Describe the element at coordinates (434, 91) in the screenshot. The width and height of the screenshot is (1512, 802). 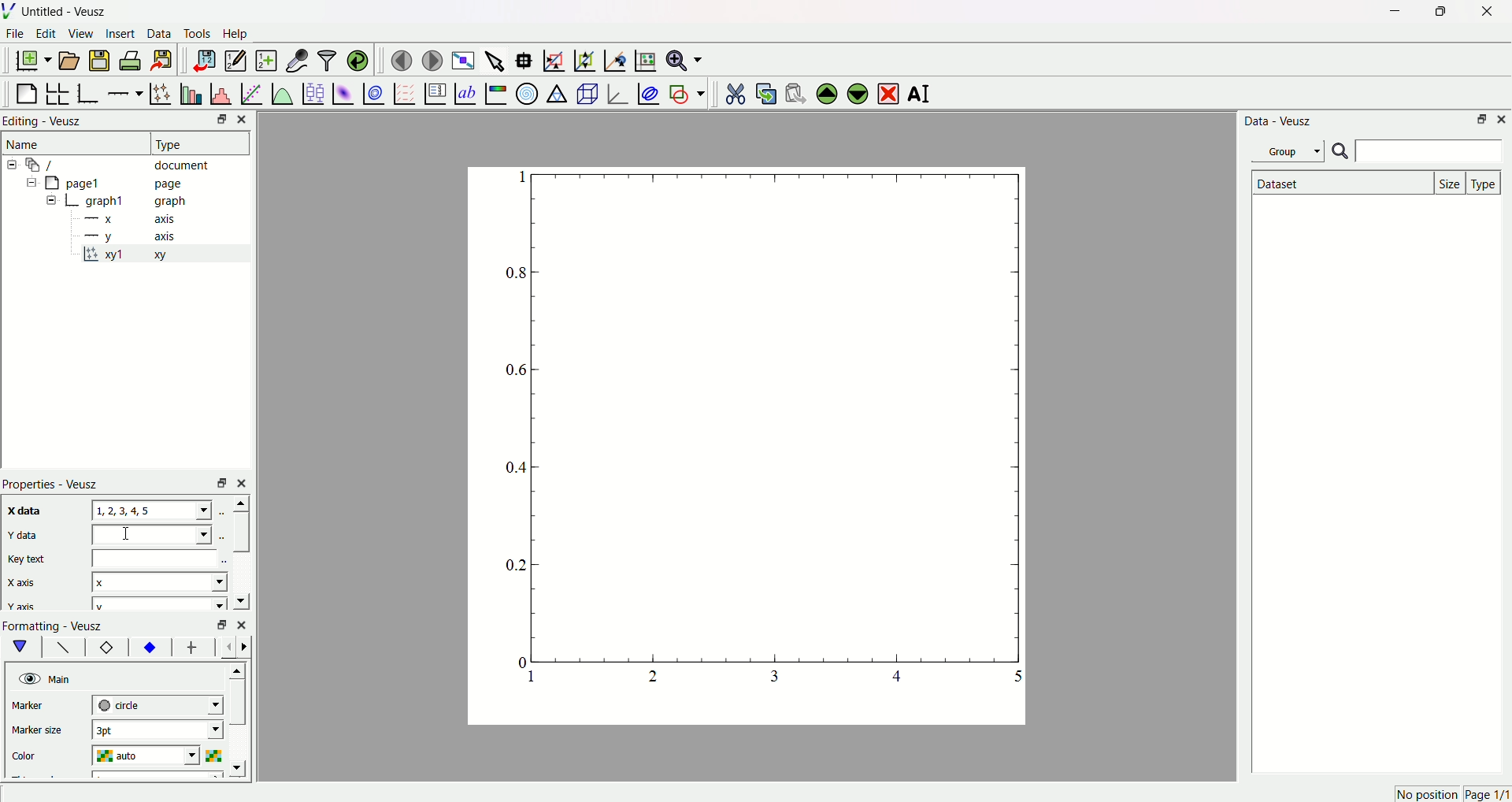
I see `plot key` at that location.